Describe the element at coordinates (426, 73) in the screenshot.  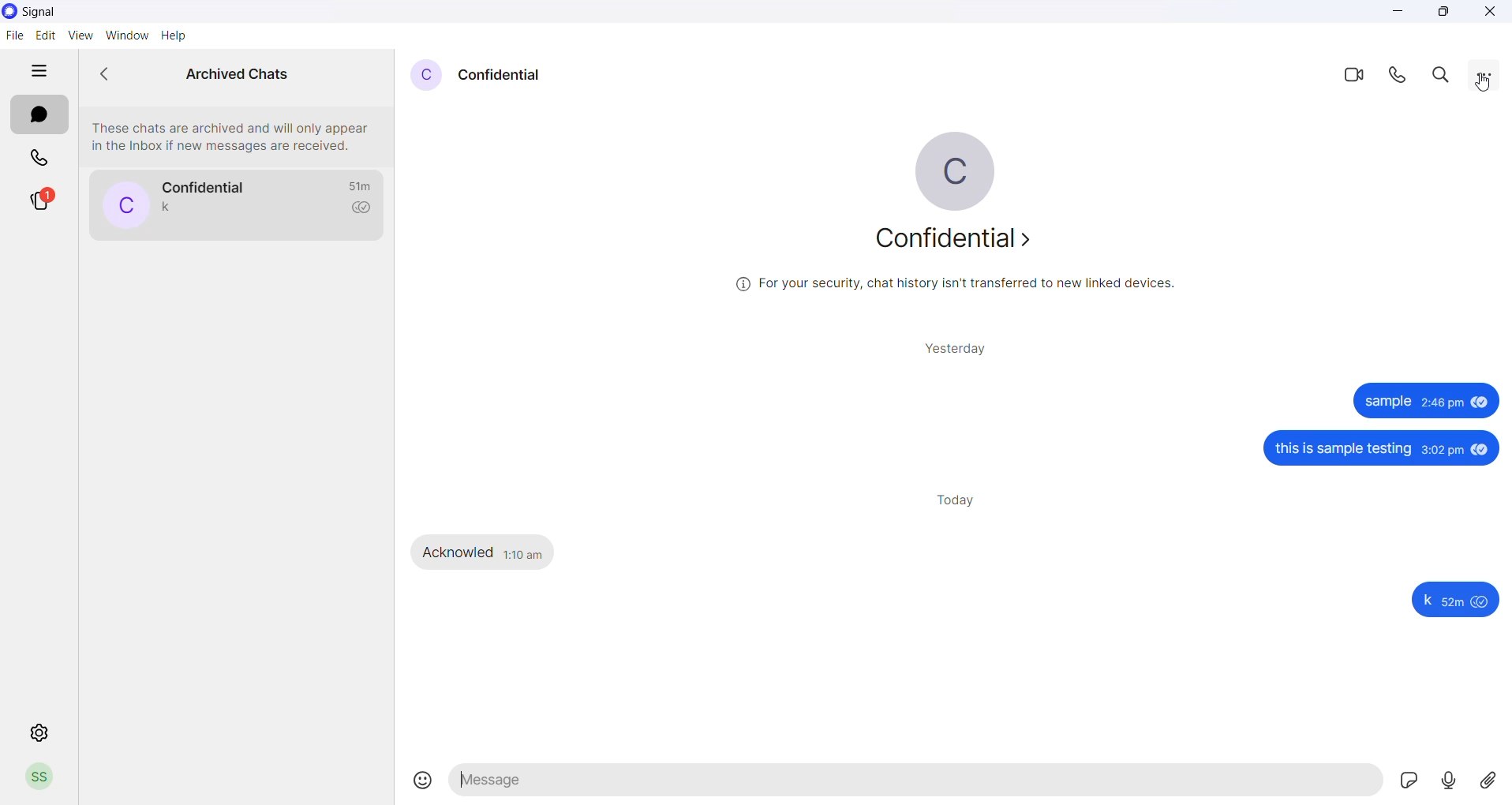
I see `profile picture` at that location.